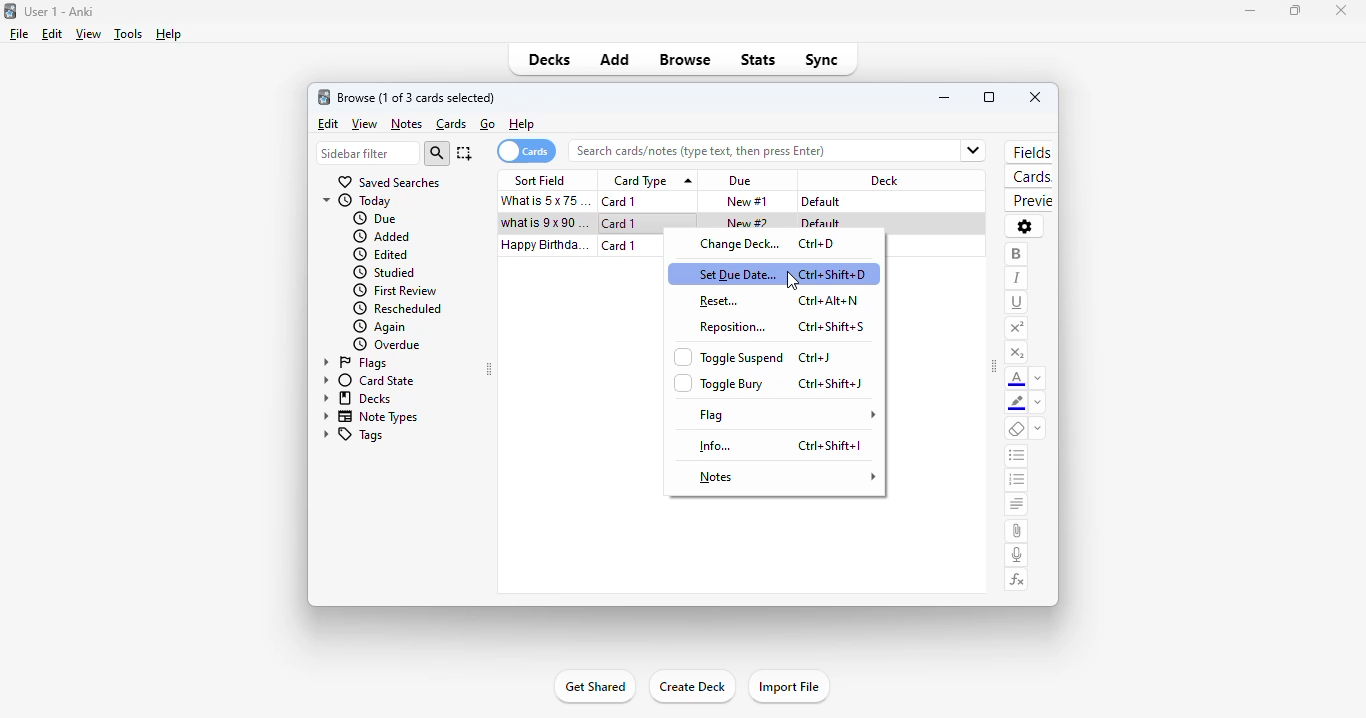  What do you see at coordinates (1040, 378) in the screenshot?
I see `change color` at bounding box center [1040, 378].